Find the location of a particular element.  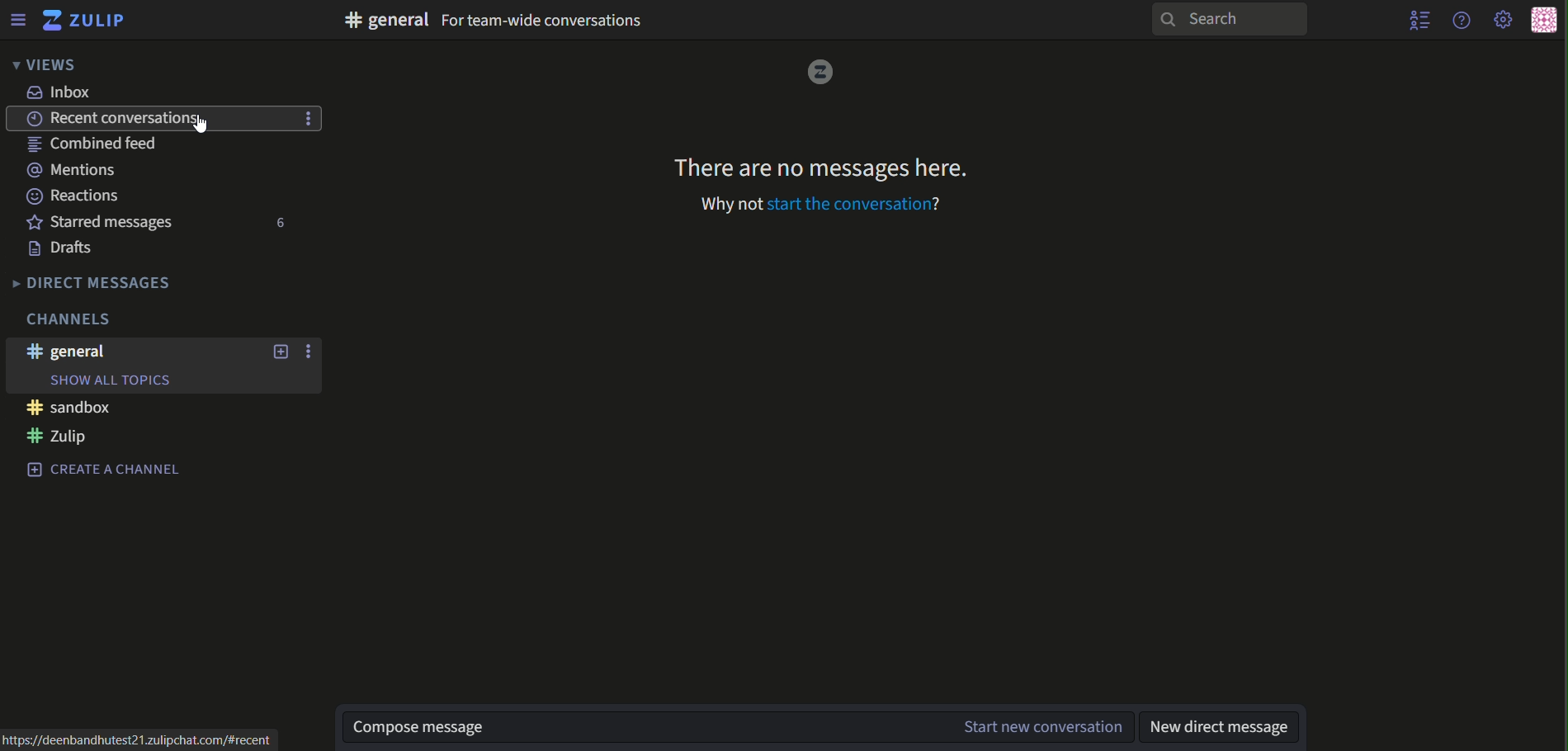

options is located at coordinates (309, 351).